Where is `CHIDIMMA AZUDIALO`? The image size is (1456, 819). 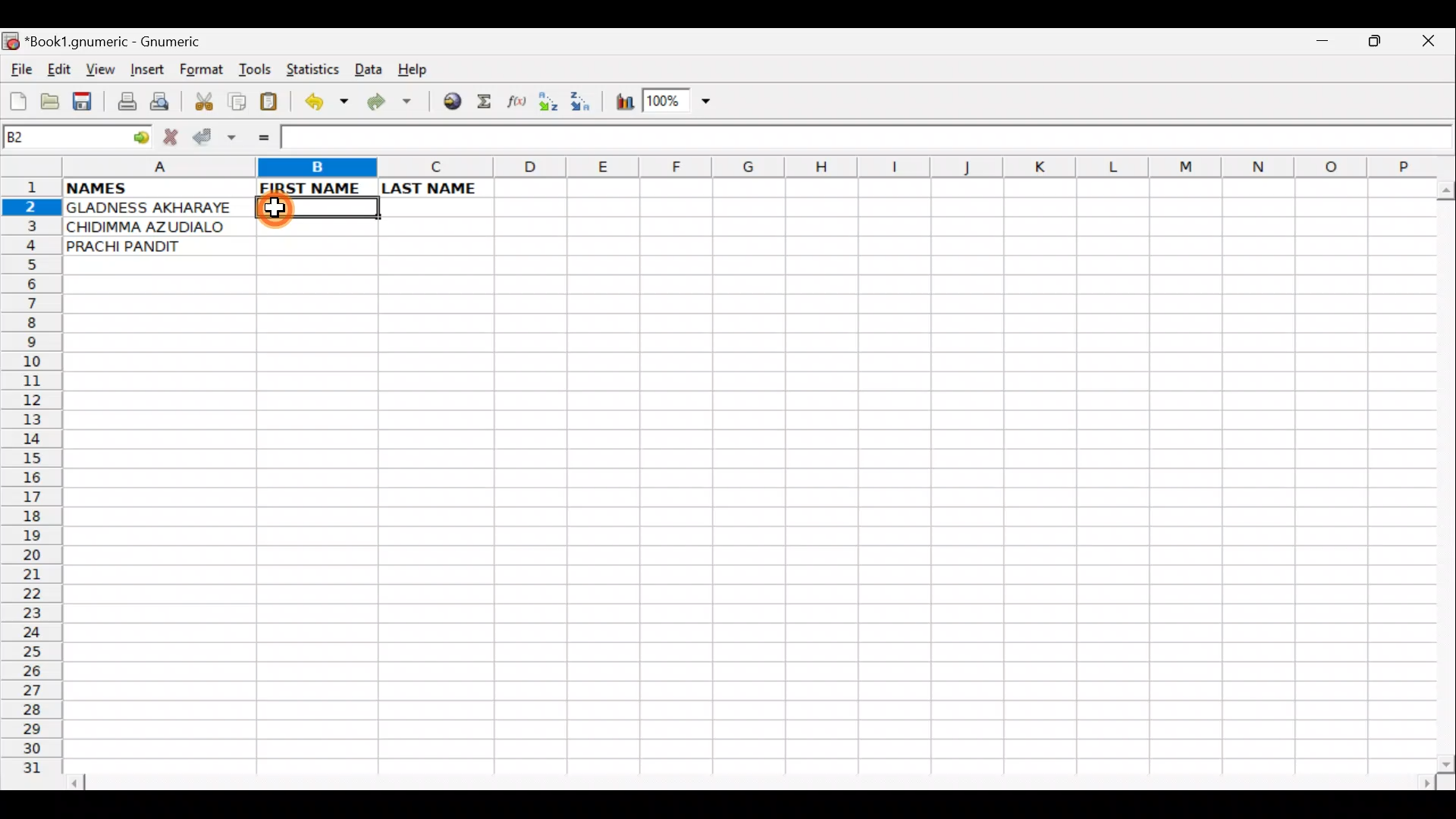
CHIDIMMA AZUDIALO is located at coordinates (156, 227).